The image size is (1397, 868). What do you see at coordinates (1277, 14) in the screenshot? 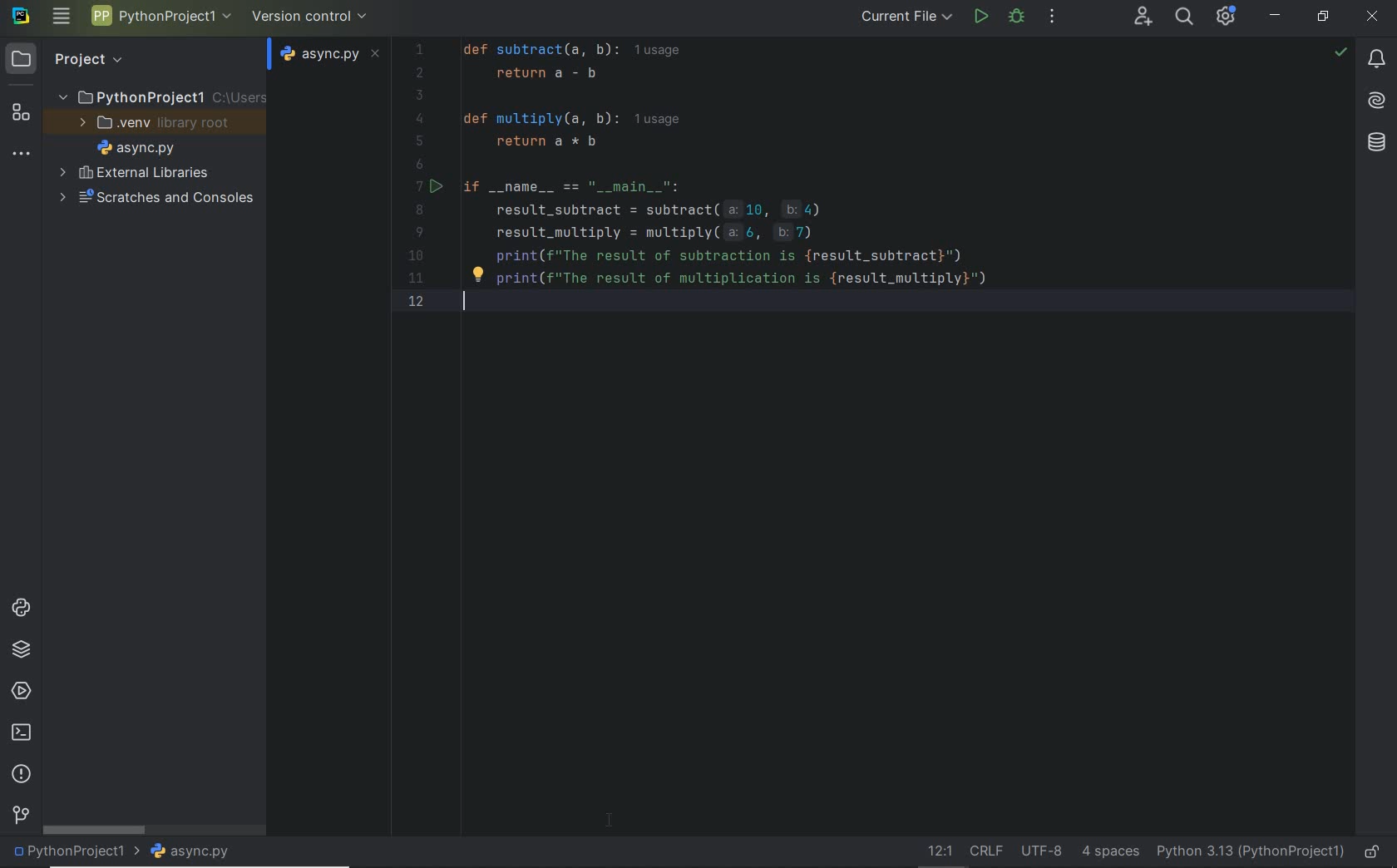
I see `MINIMIZE` at bounding box center [1277, 14].